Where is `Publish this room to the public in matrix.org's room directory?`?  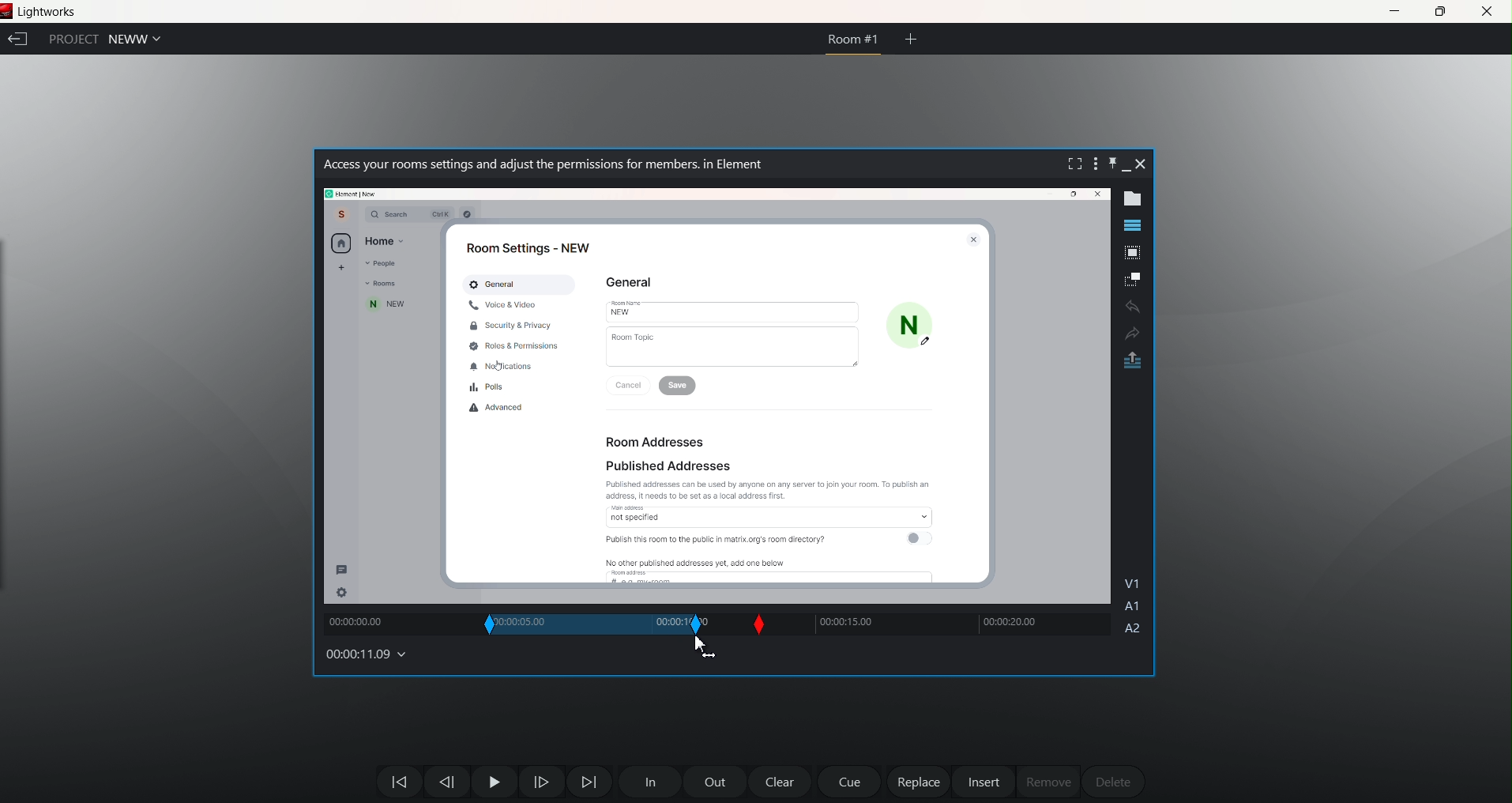 Publish this room to the public in matrix.org's room directory? is located at coordinates (715, 538).